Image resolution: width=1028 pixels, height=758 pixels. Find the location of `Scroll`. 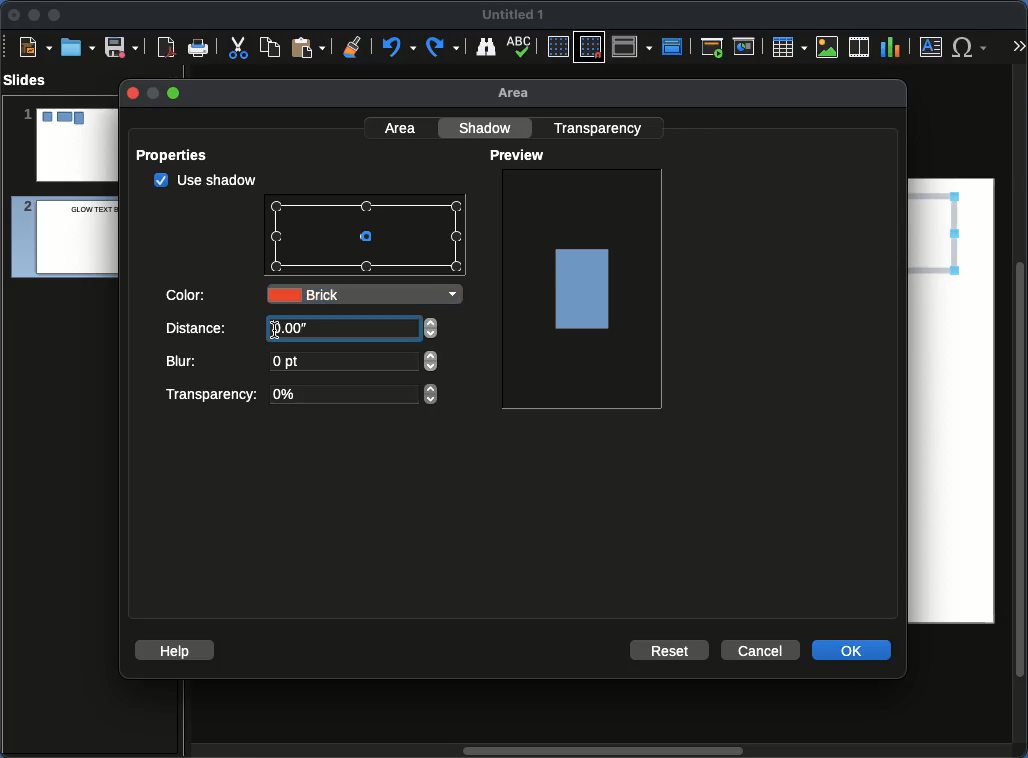

Scroll is located at coordinates (1022, 413).